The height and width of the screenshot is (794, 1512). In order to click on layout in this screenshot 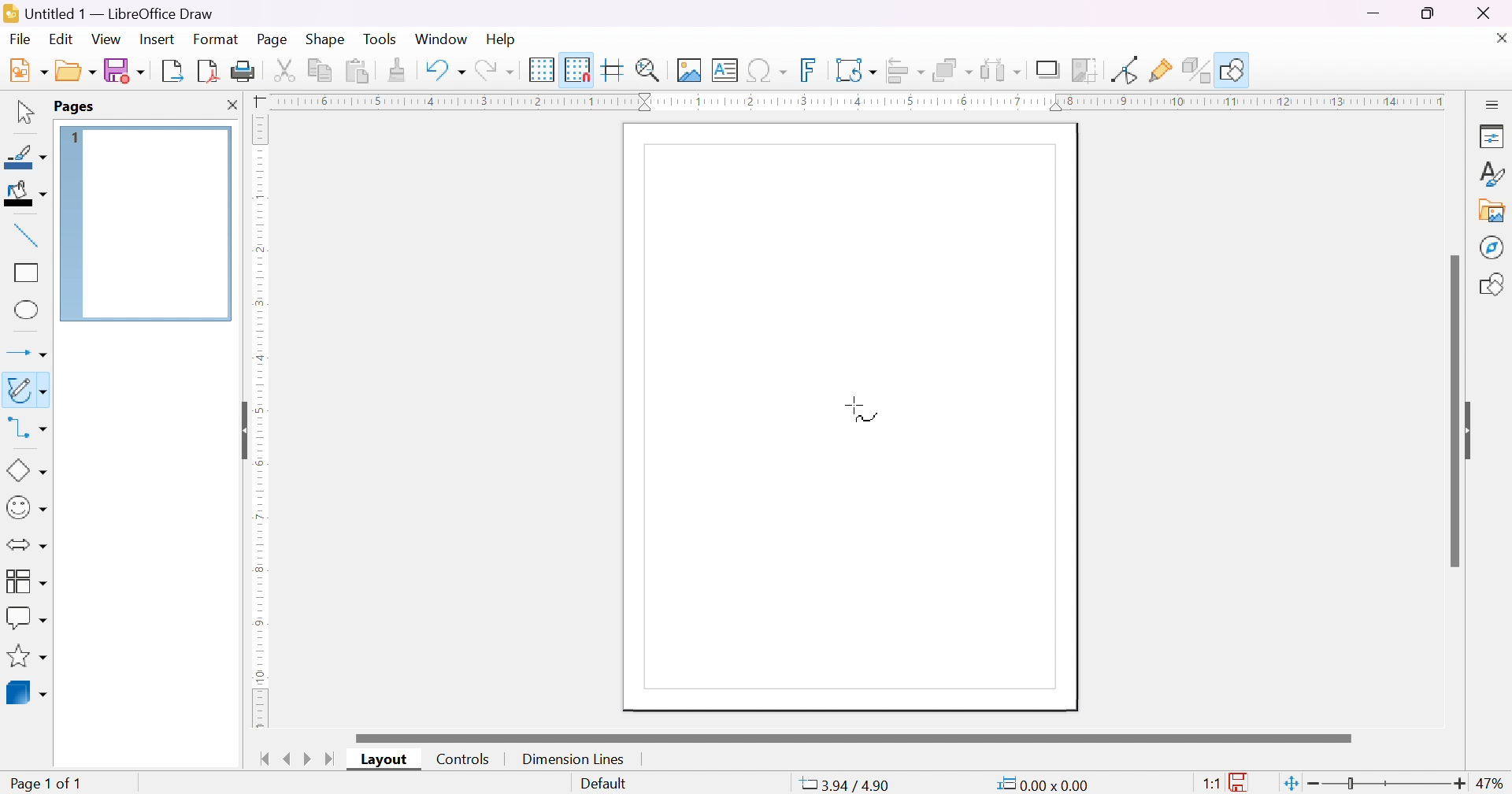, I will do `click(387, 759)`.